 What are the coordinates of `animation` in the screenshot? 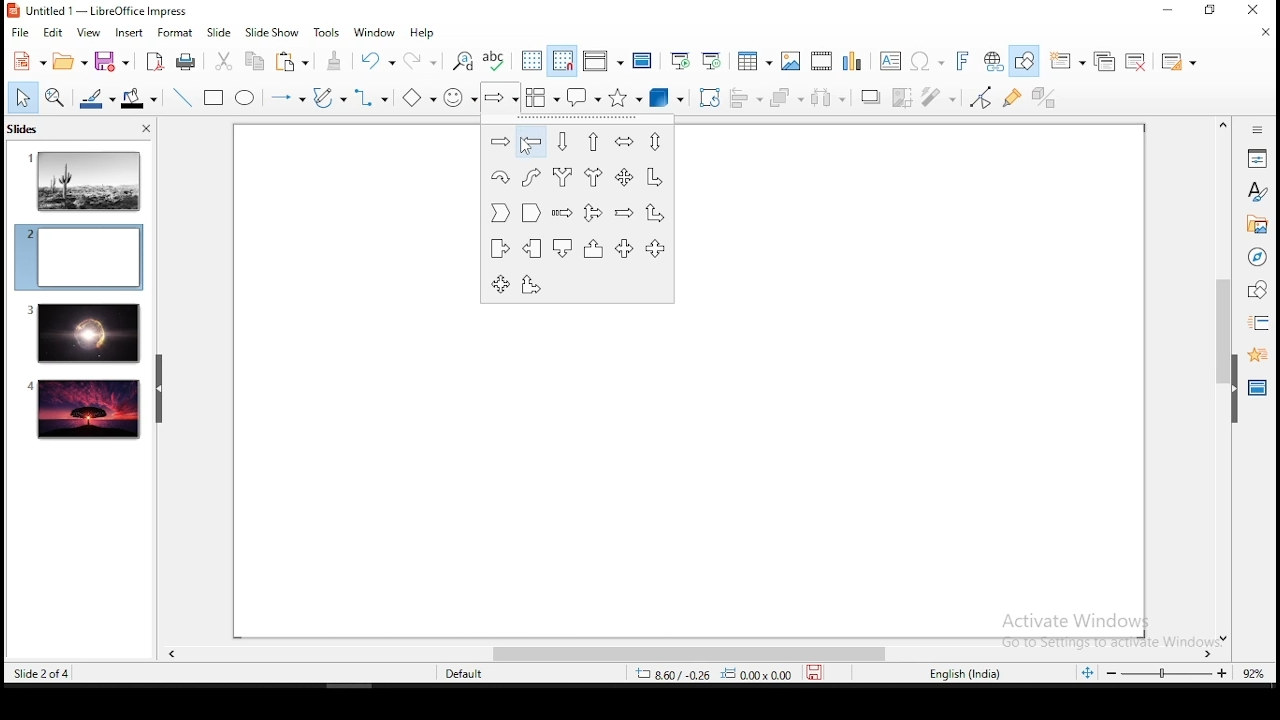 It's located at (1255, 353).